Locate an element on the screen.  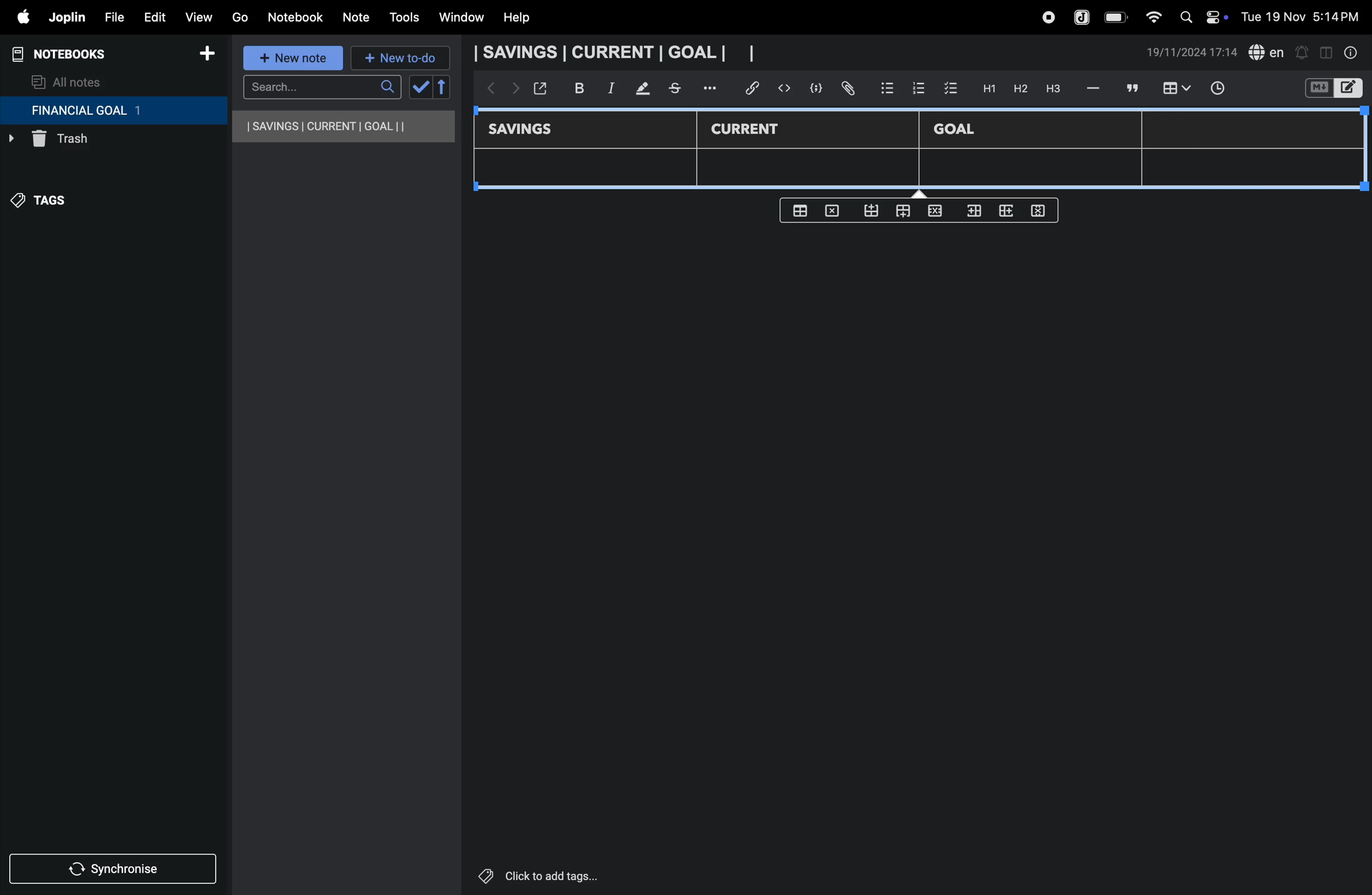
h2 is located at coordinates (1019, 88).